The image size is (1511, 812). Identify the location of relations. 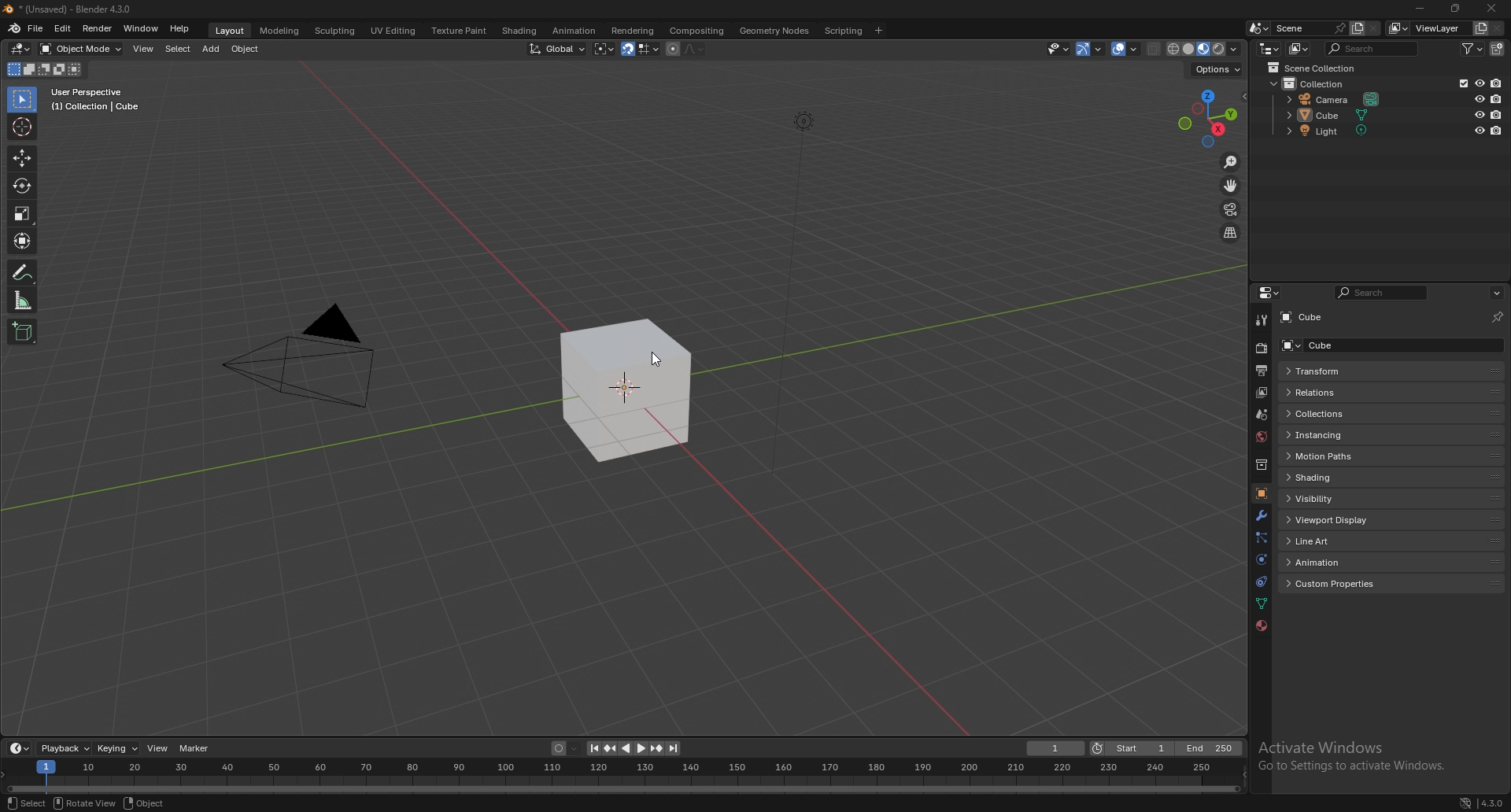
(1391, 393).